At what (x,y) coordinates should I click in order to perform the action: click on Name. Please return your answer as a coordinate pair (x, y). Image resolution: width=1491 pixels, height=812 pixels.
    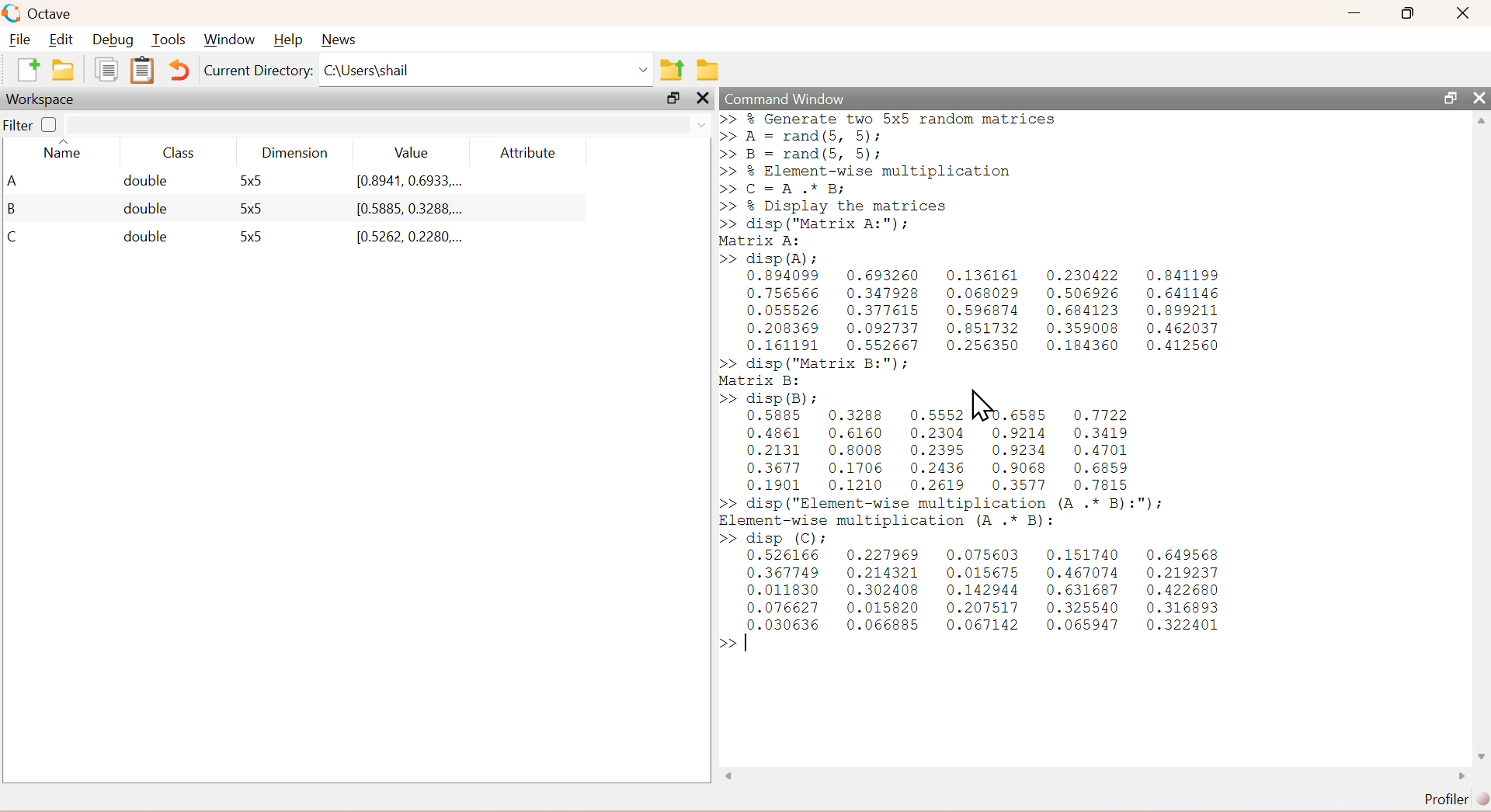
    Looking at the image, I should click on (64, 153).